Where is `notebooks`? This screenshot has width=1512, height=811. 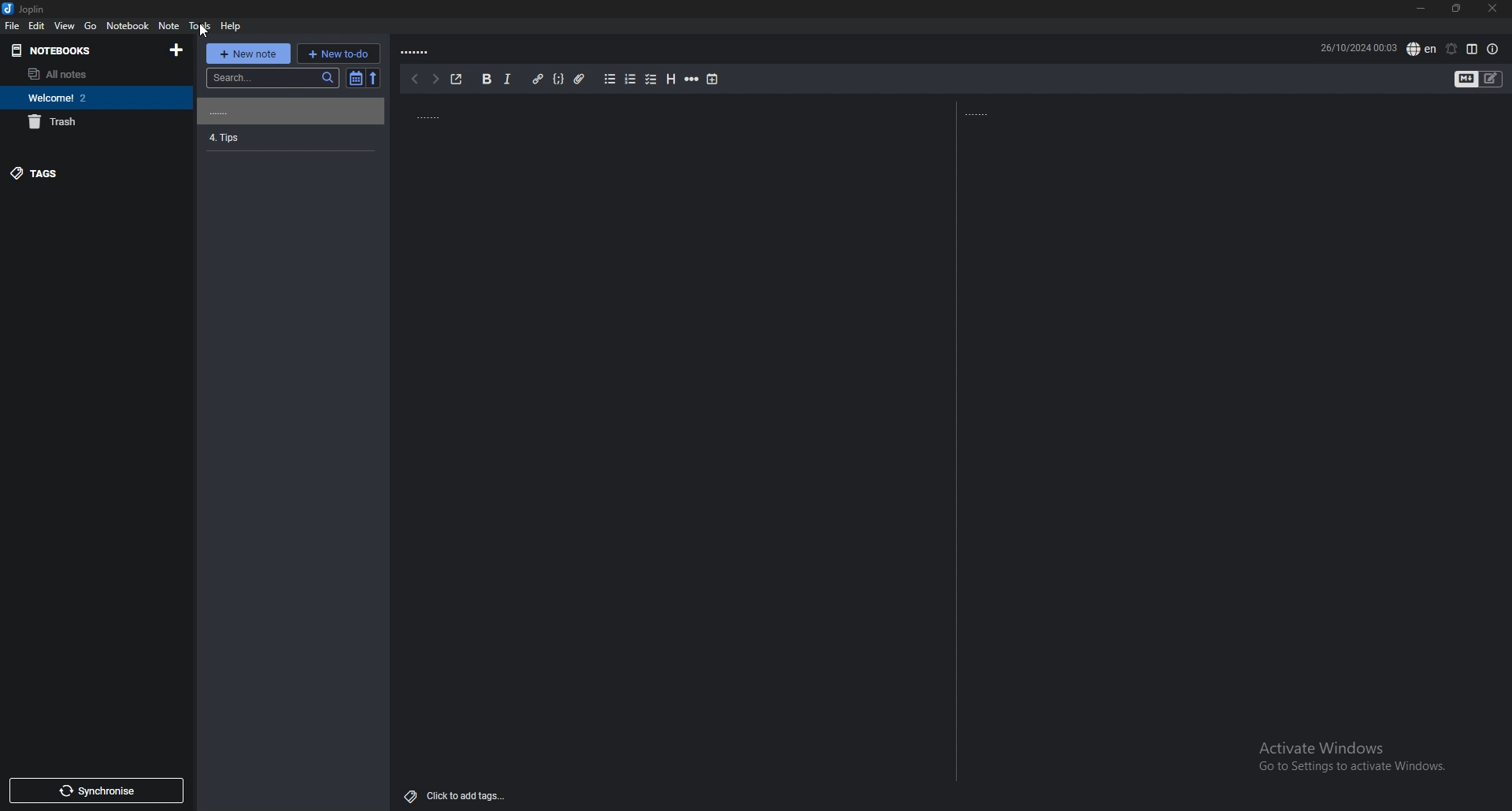 notebooks is located at coordinates (75, 50).